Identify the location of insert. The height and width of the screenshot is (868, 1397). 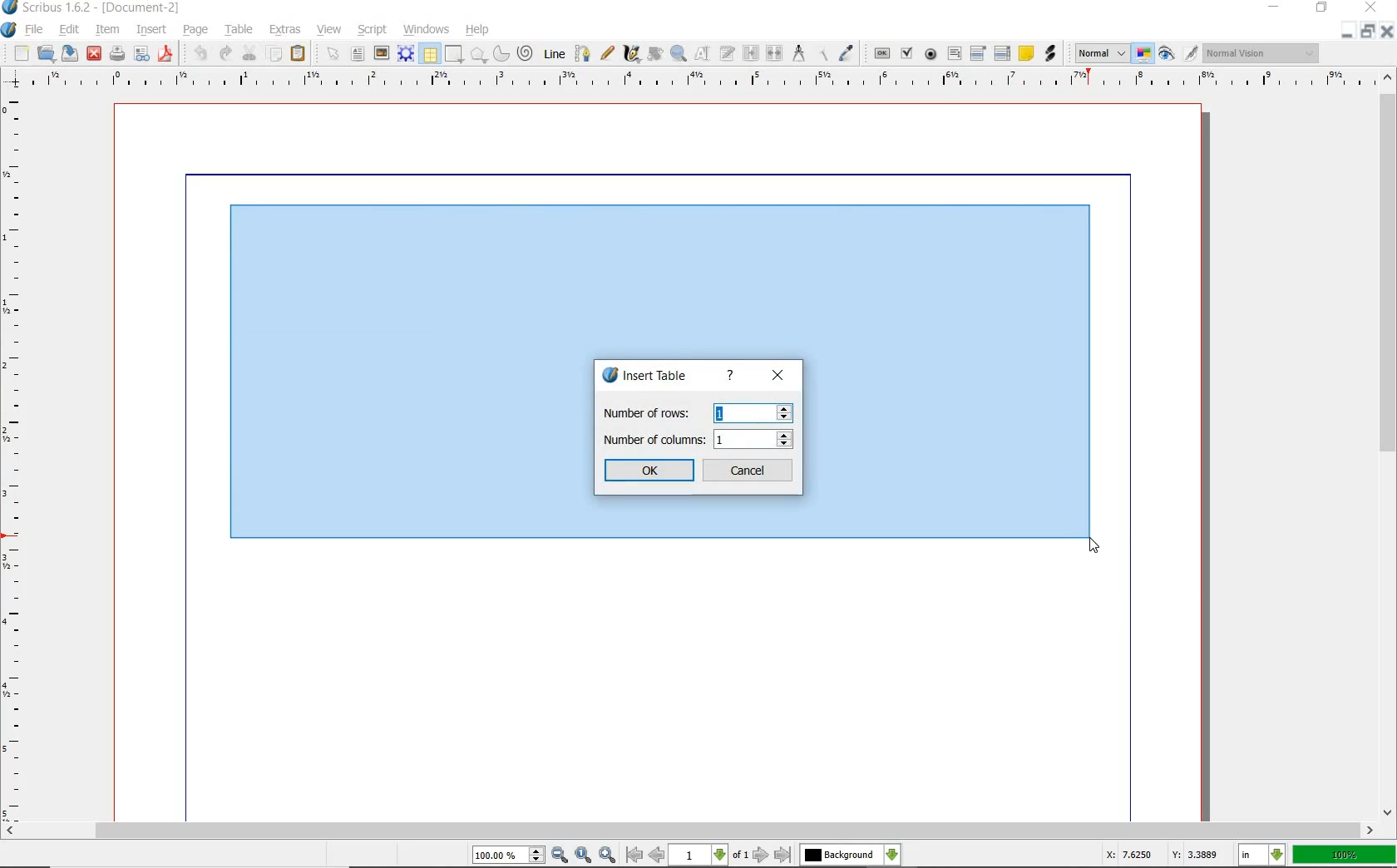
(155, 31).